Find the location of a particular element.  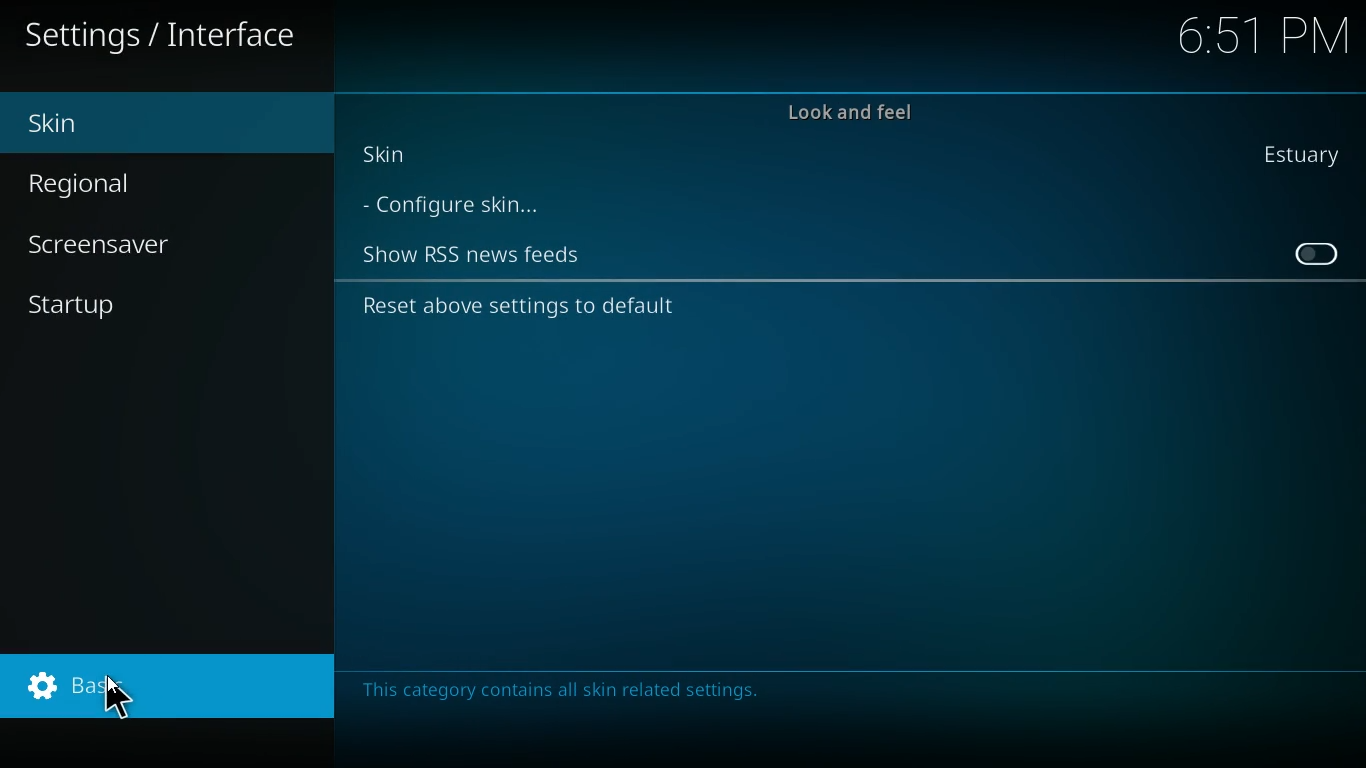

on / off is located at coordinates (1312, 251).